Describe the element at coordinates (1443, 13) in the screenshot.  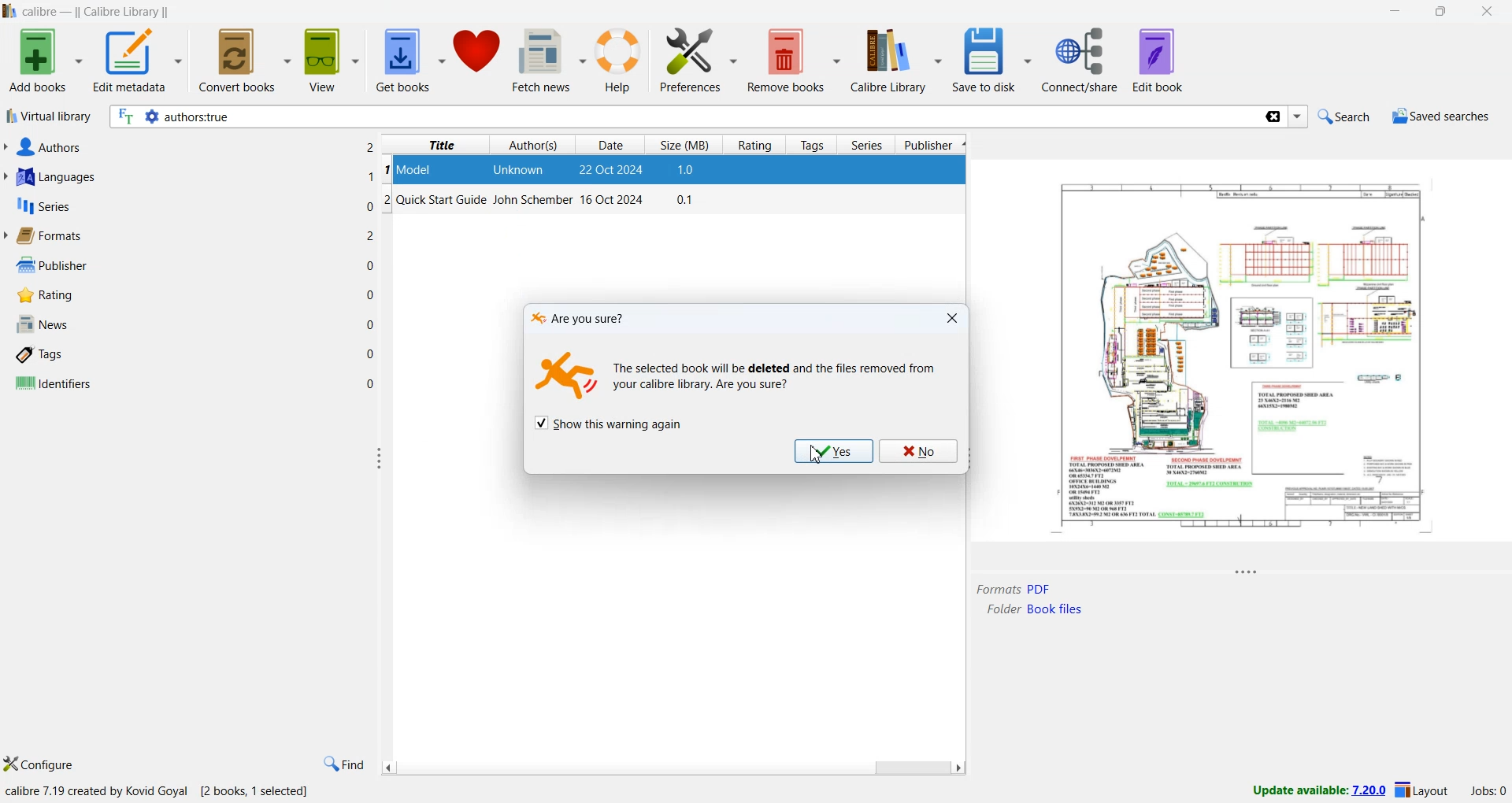
I see `maximize` at that location.